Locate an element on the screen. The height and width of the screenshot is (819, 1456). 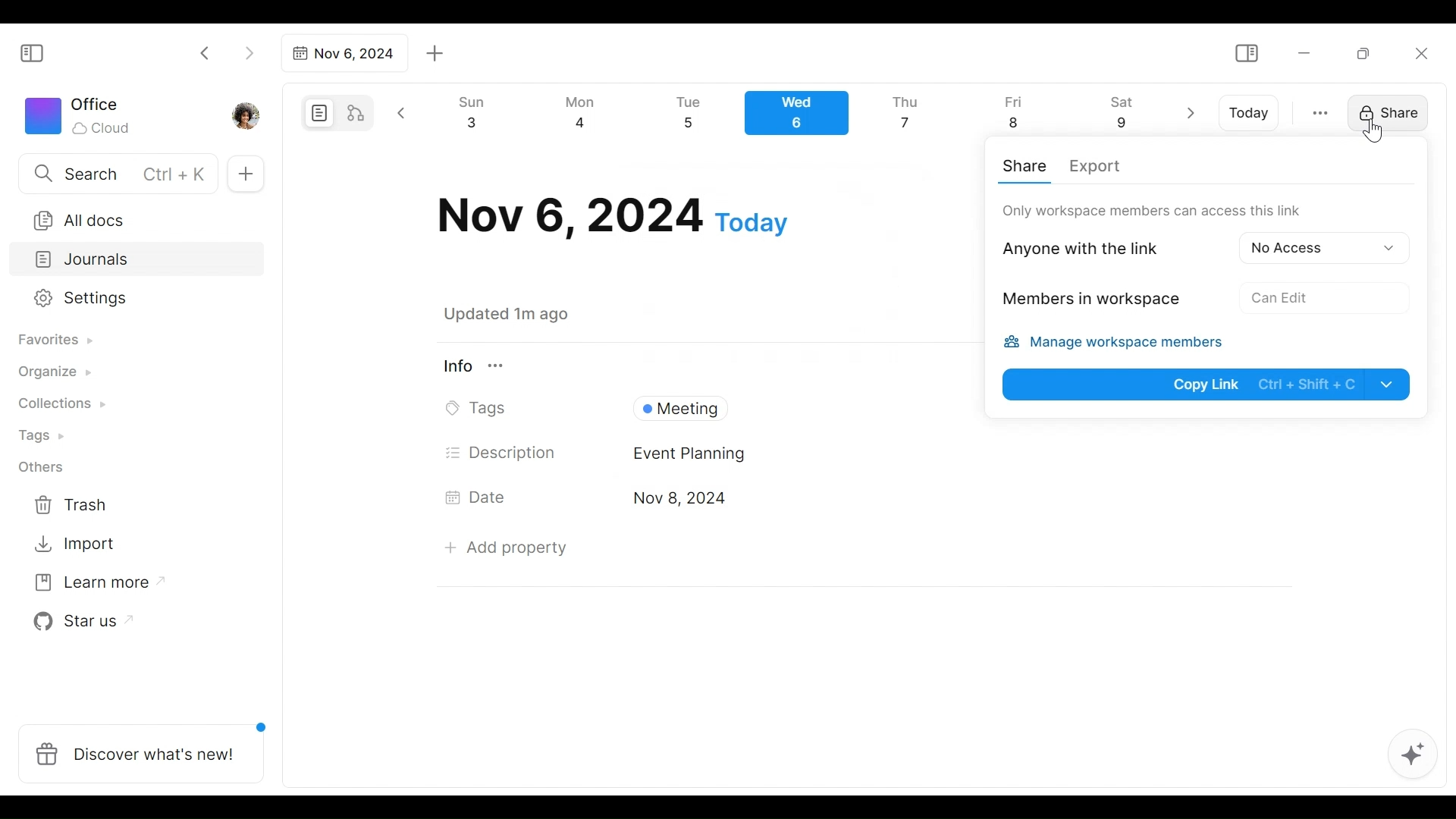
Members in workspace is located at coordinates (1087, 301).